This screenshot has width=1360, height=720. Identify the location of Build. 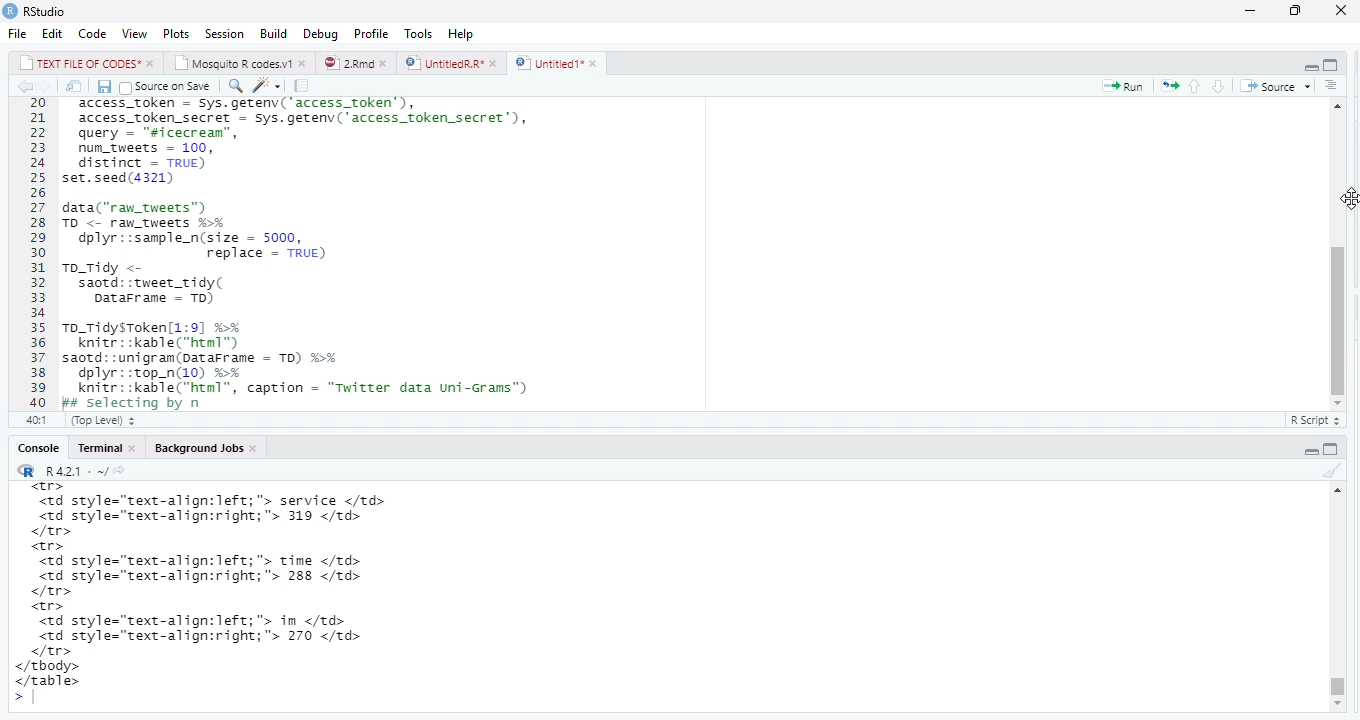
(272, 32).